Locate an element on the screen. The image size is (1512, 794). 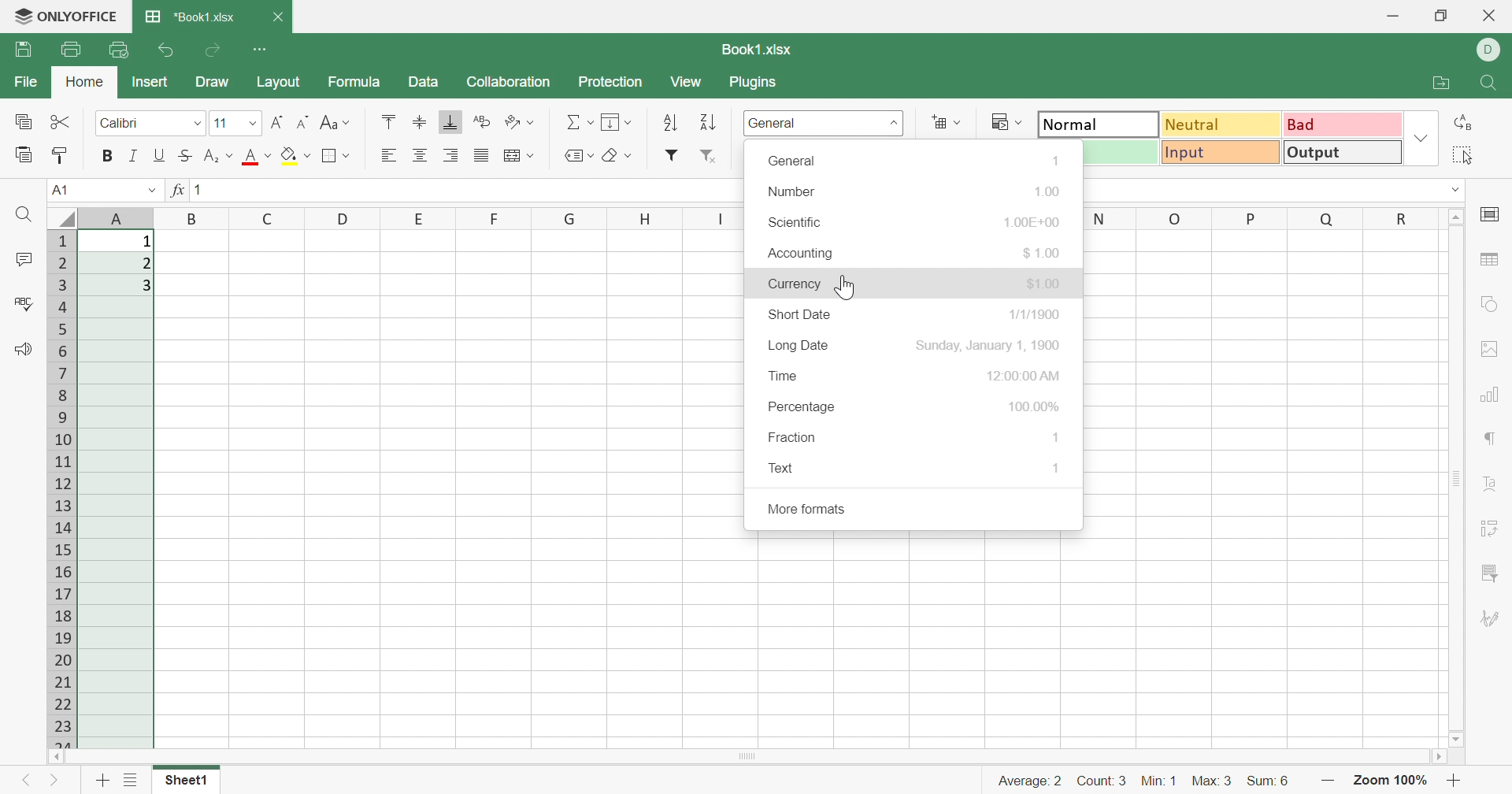
1 is located at coordinates (1052, 163).